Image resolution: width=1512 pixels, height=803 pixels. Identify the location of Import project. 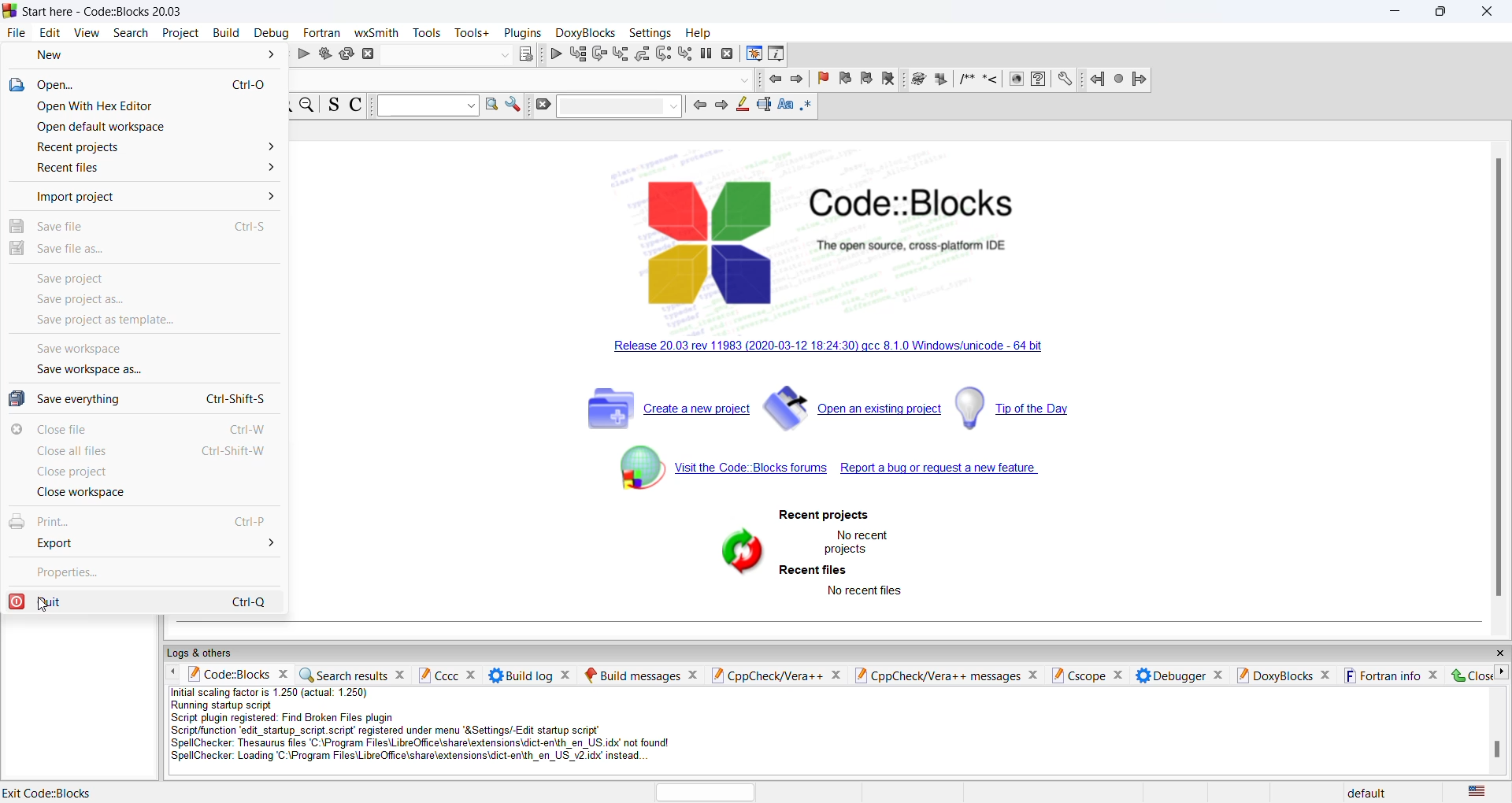
(156, 197).